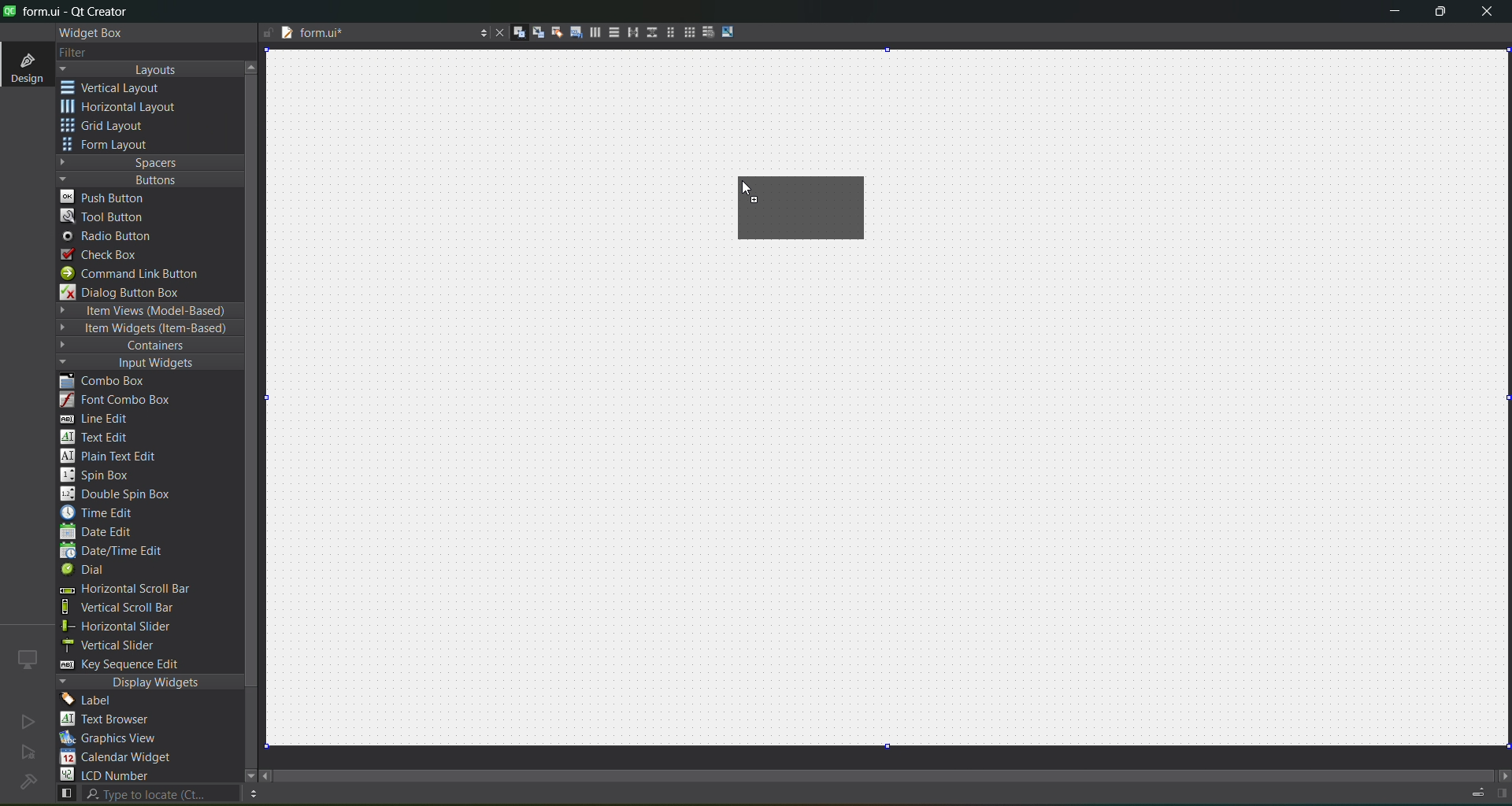 This screenshot has width=1512, height=806. Describe the element at coordinates (102, 419) in the screenshot. I see `line edit ` at that location.